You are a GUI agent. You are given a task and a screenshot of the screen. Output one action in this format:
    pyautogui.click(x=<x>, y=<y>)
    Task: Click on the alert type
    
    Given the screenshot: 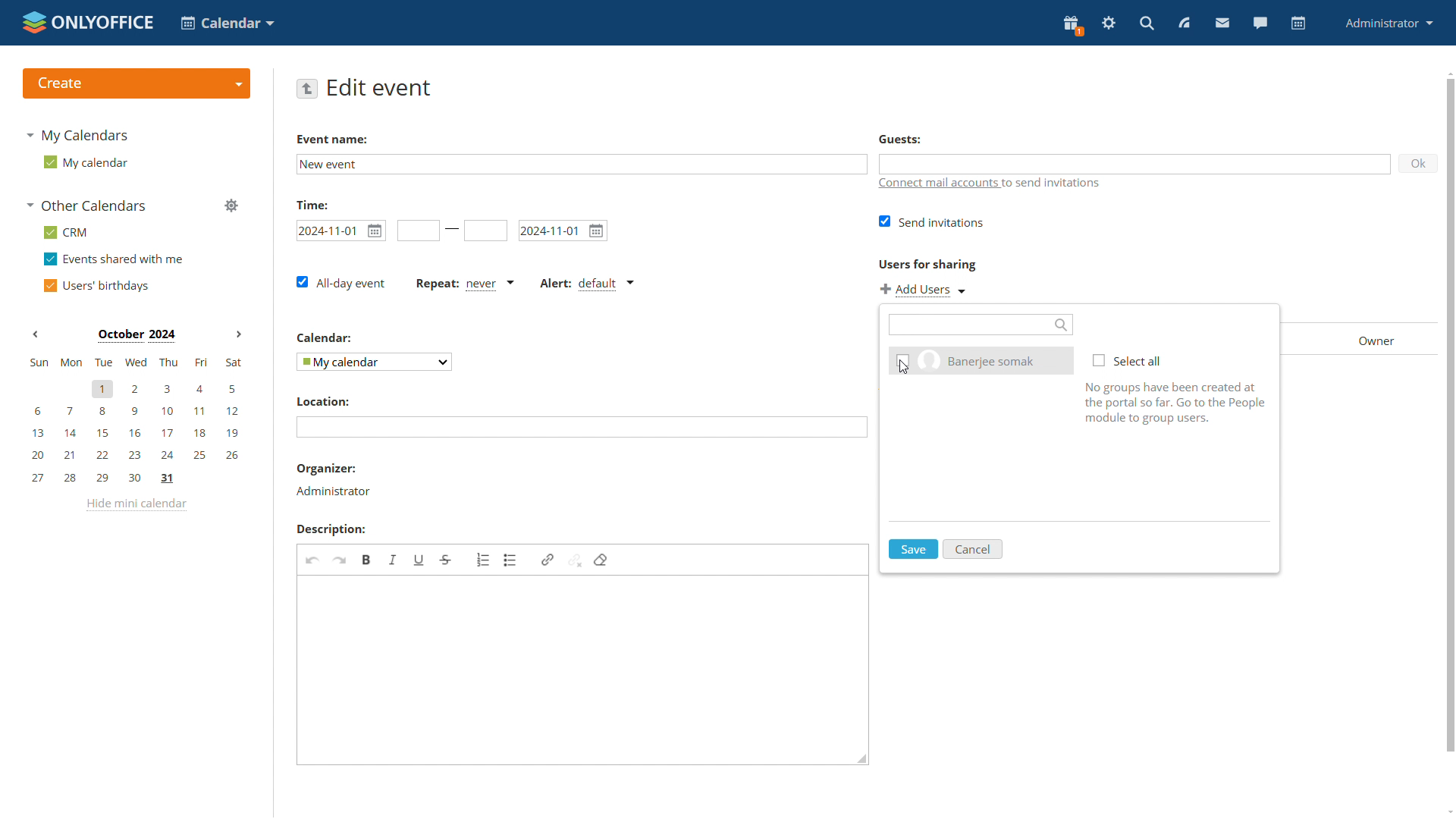 What is the action you would take?
    pyautogui.click(x=587, y=284)
    